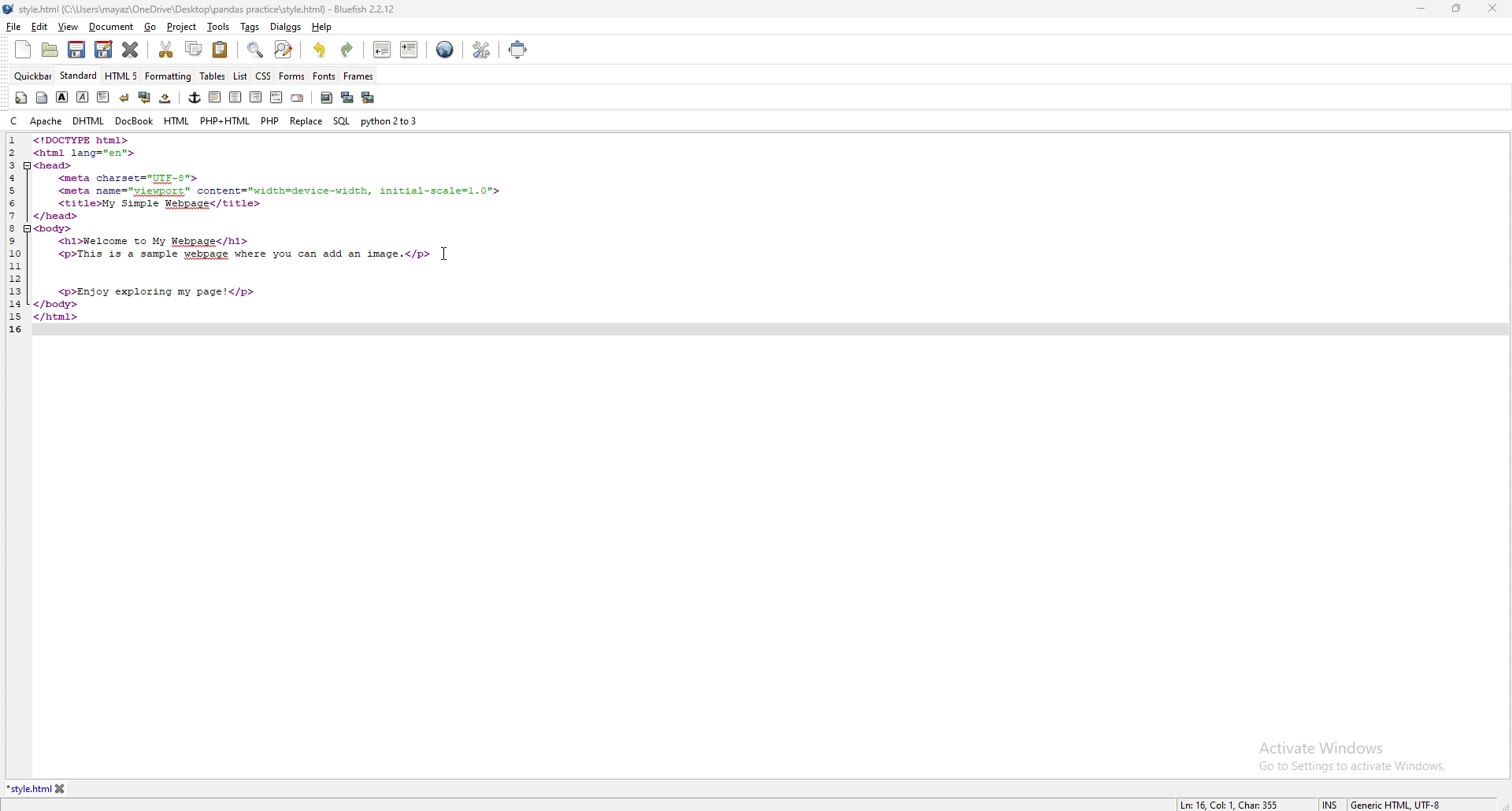 Image resolution: width=1512 pixels, height=811 pixels. What do you see at coordinates (324, 76) in the screenshot?
I see `fonts` at bounding box center [324, 76].